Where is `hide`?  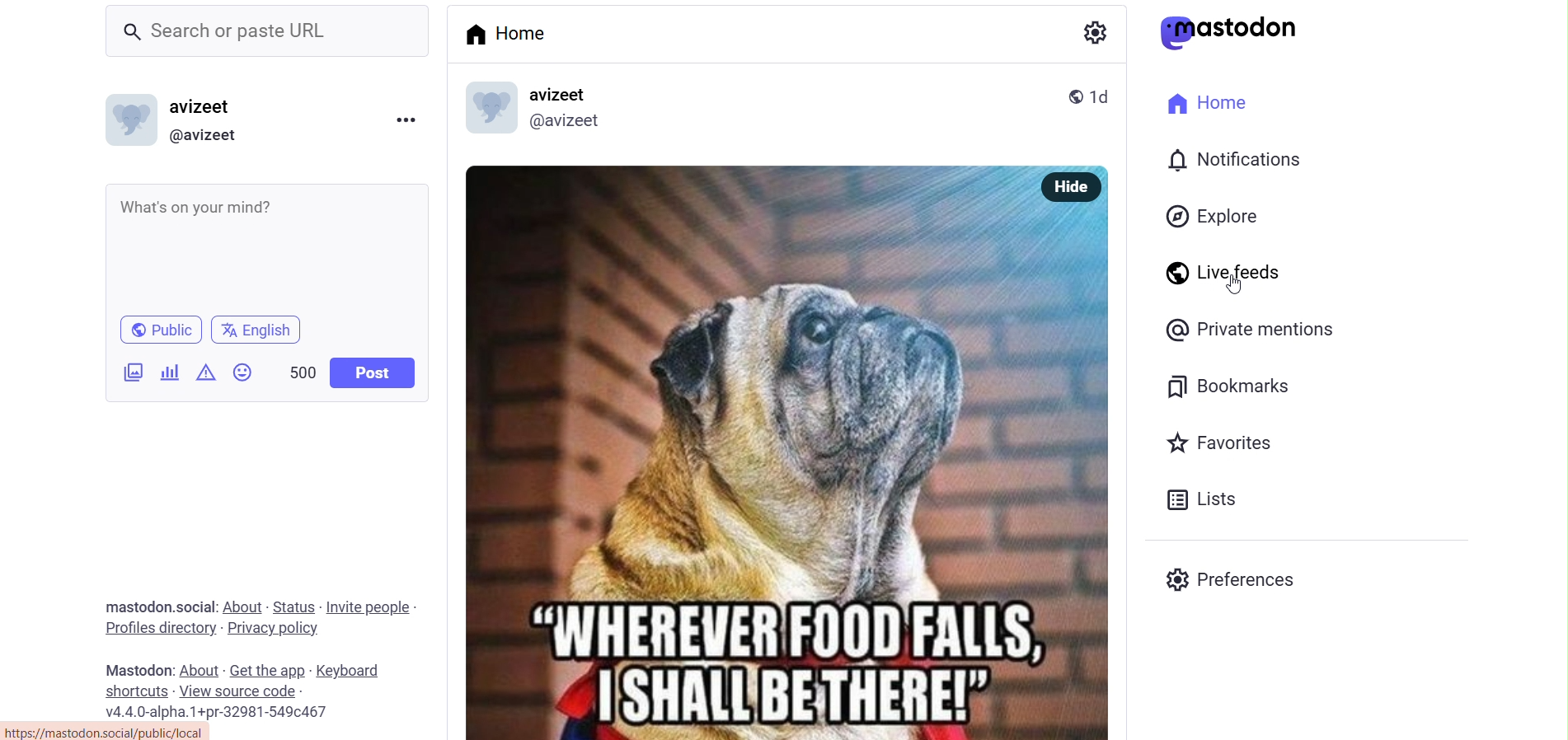
hide is located at coordinates (1071, 184).